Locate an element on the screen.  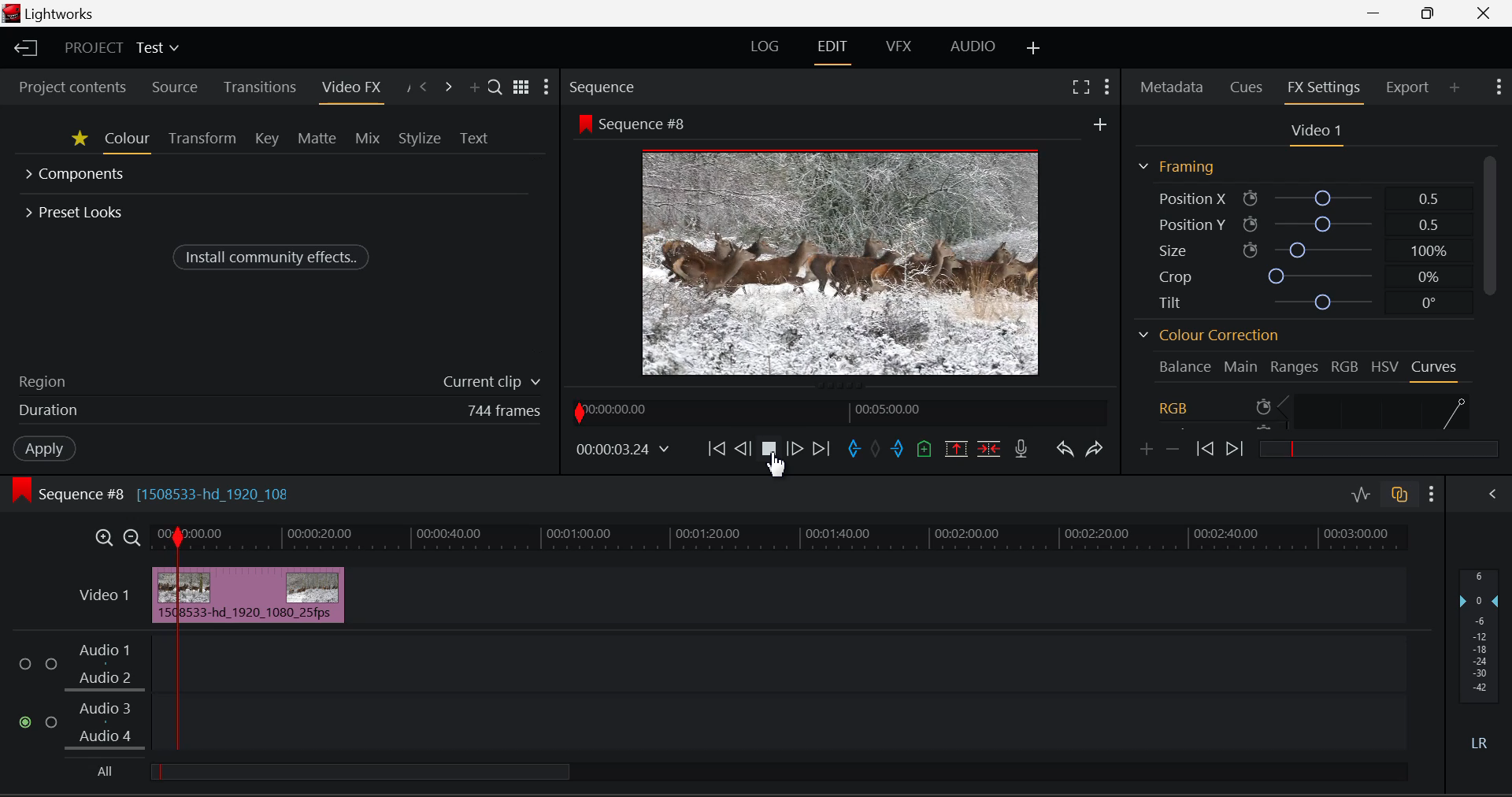
Export is located at coordinates (1407, 85).